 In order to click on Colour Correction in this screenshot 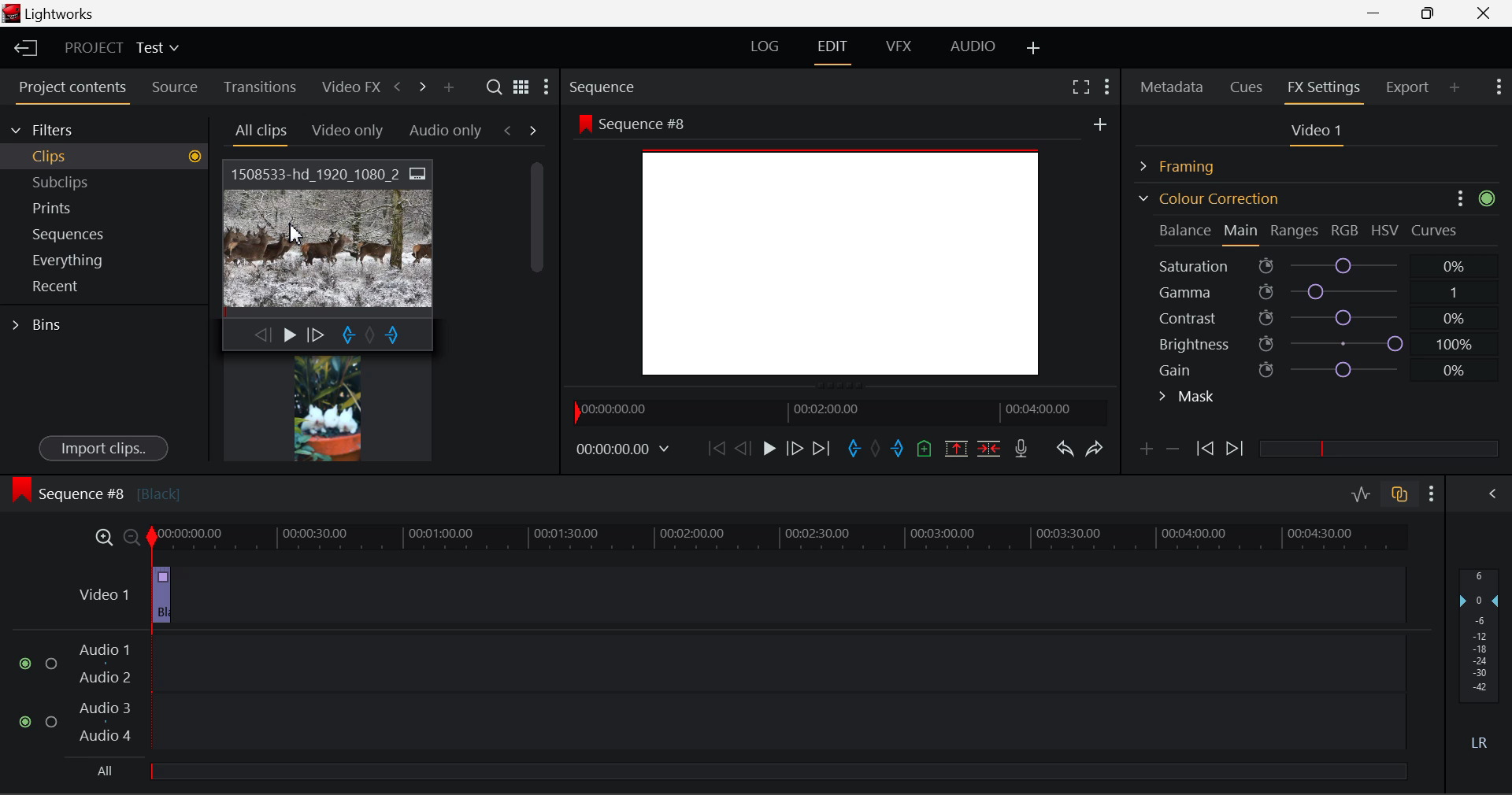, I will do `click(1208, 198)`.